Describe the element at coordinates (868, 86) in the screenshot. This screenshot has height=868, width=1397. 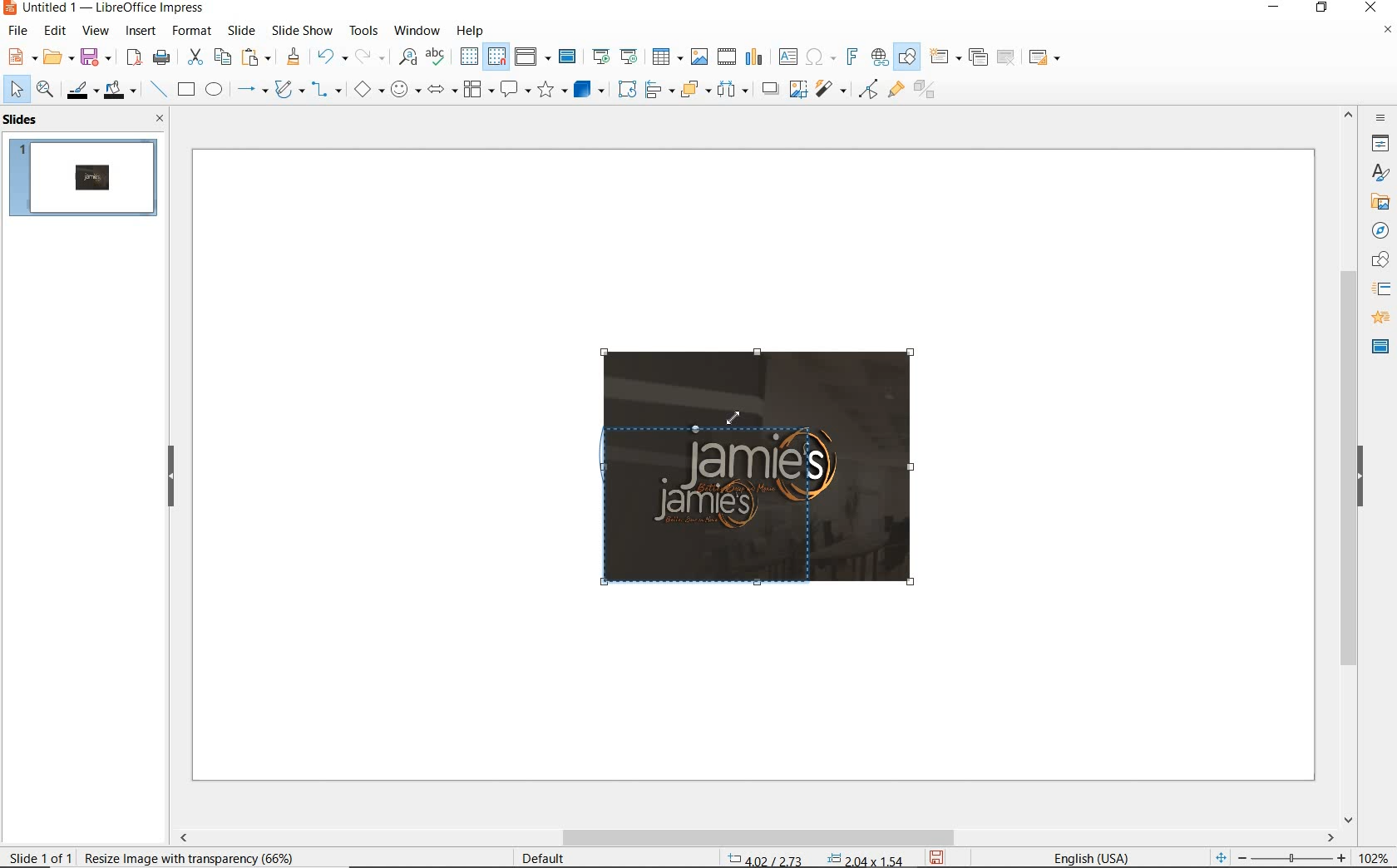
I see `filter` at that location.